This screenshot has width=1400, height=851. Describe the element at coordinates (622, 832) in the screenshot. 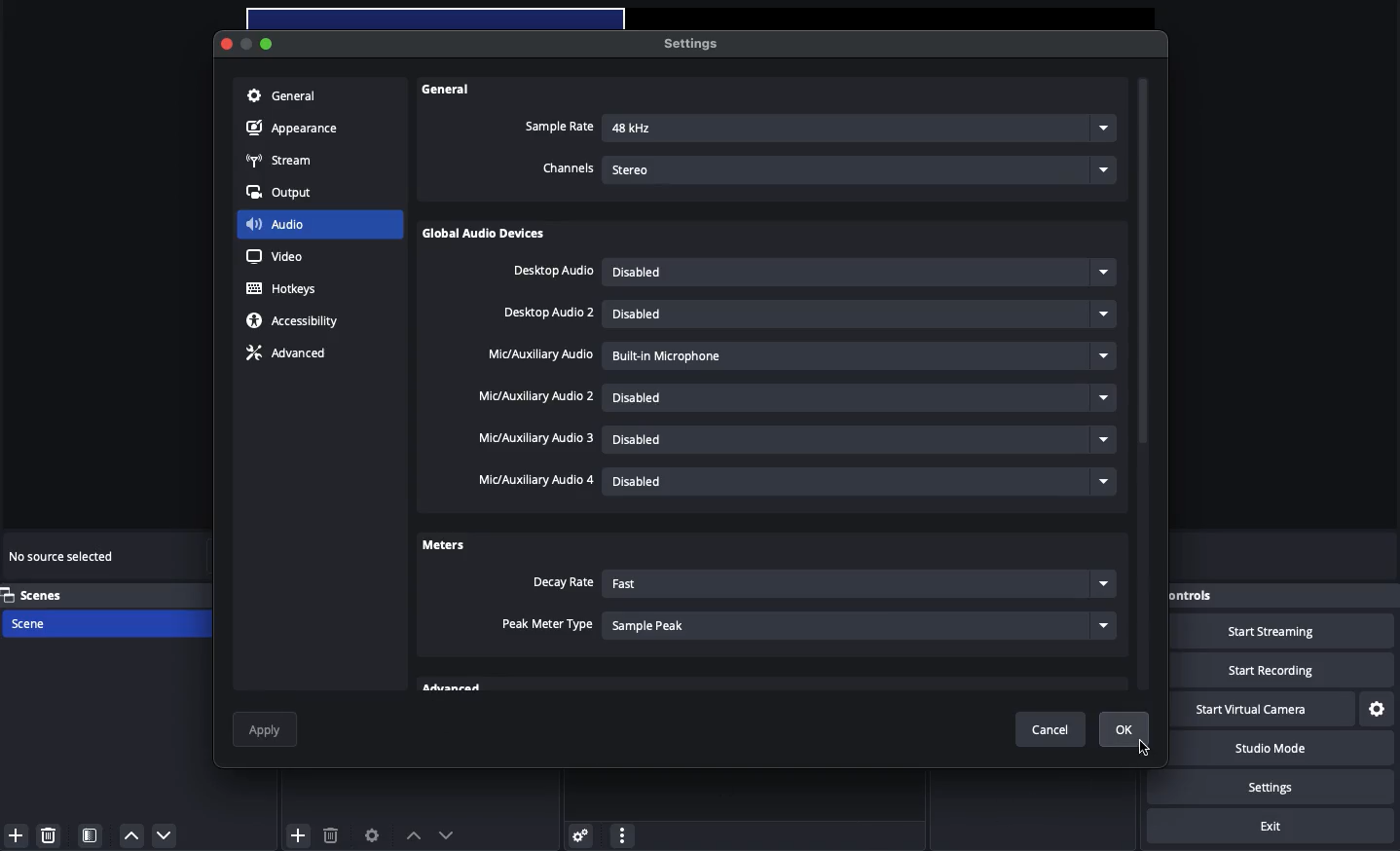

I see `Options` at that location.